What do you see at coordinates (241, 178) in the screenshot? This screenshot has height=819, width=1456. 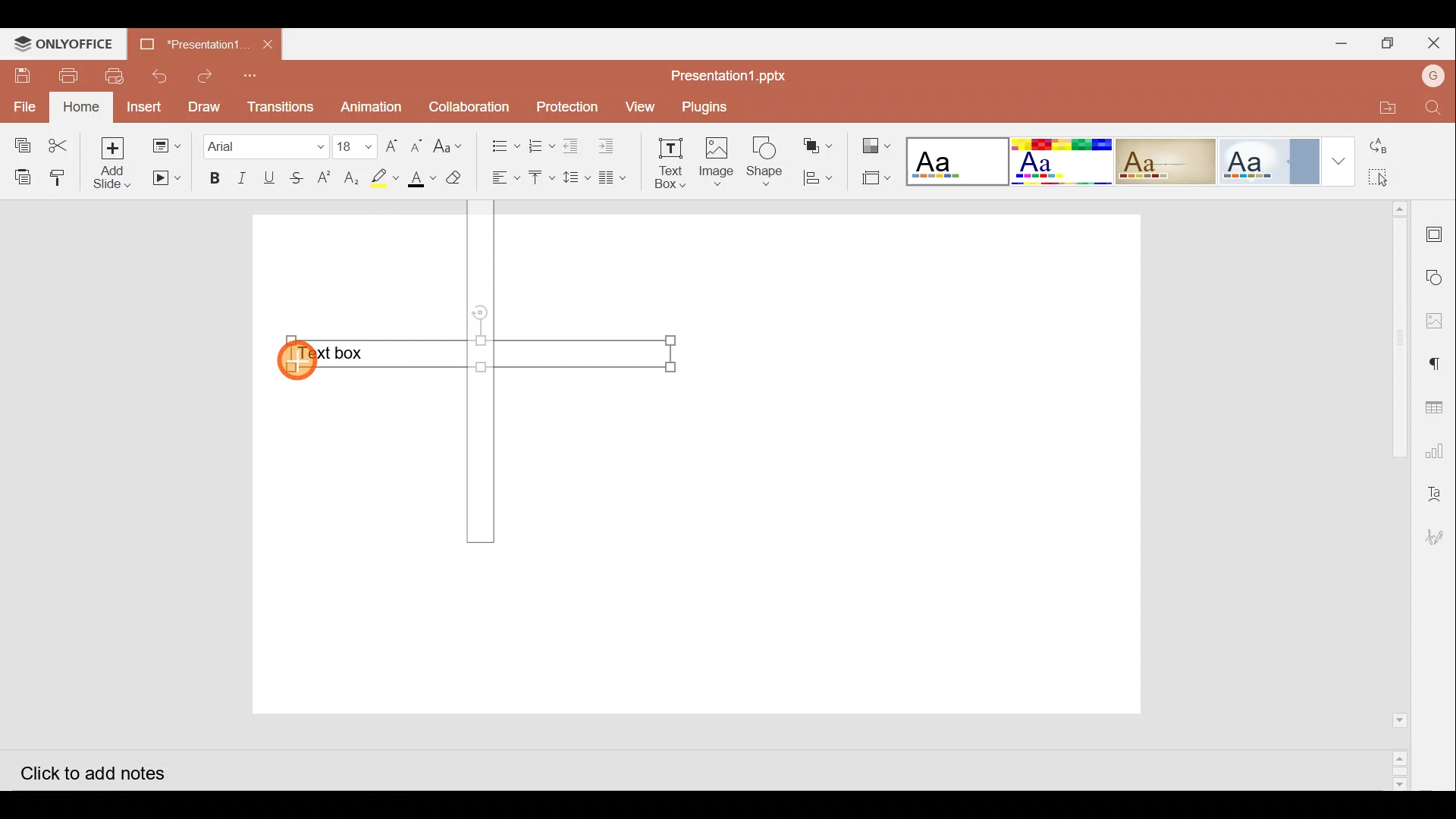 I see `Italic` at bounding box center [241, 178].